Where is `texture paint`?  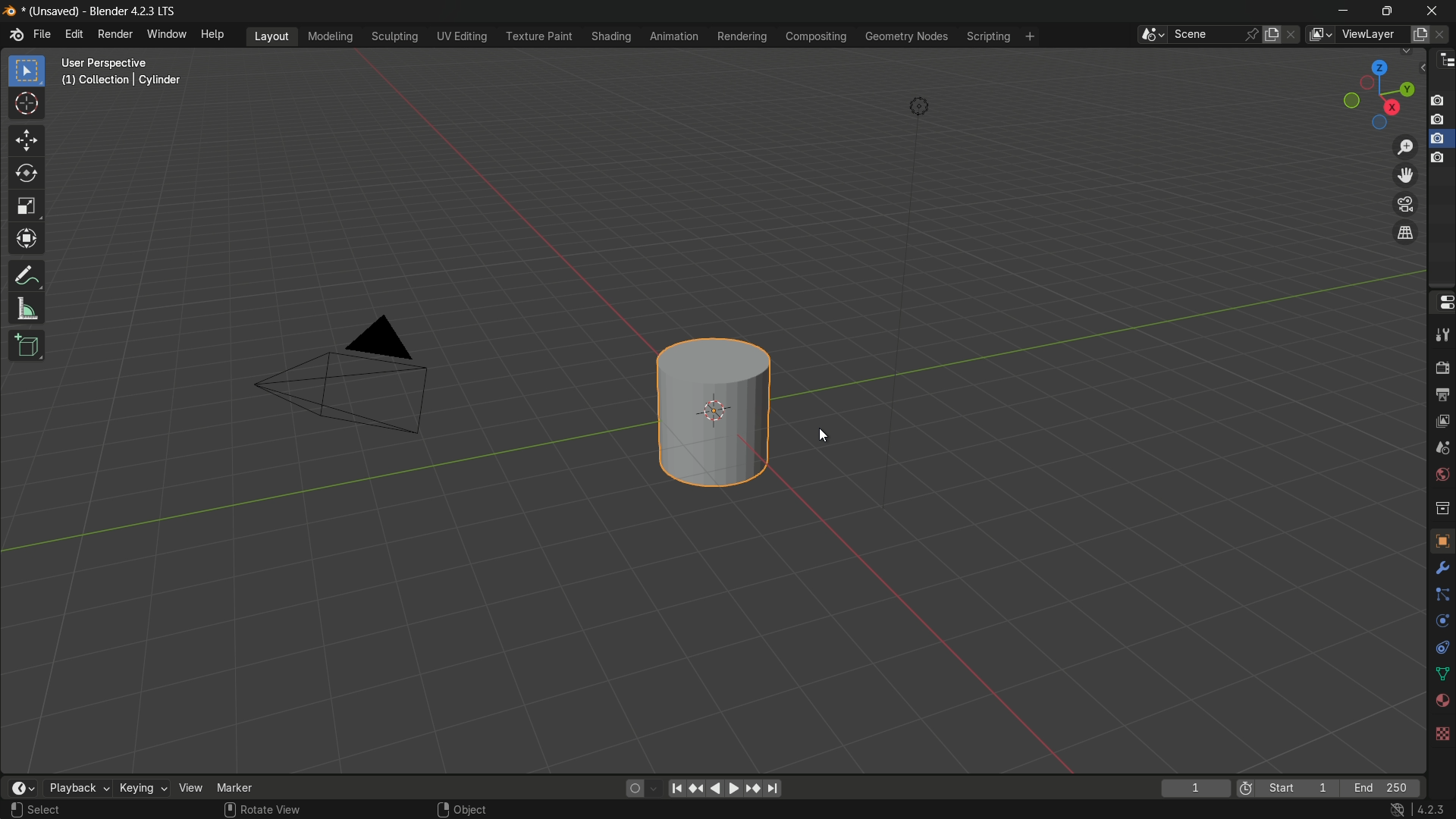 texture paint is located at coordinates (538, 36).